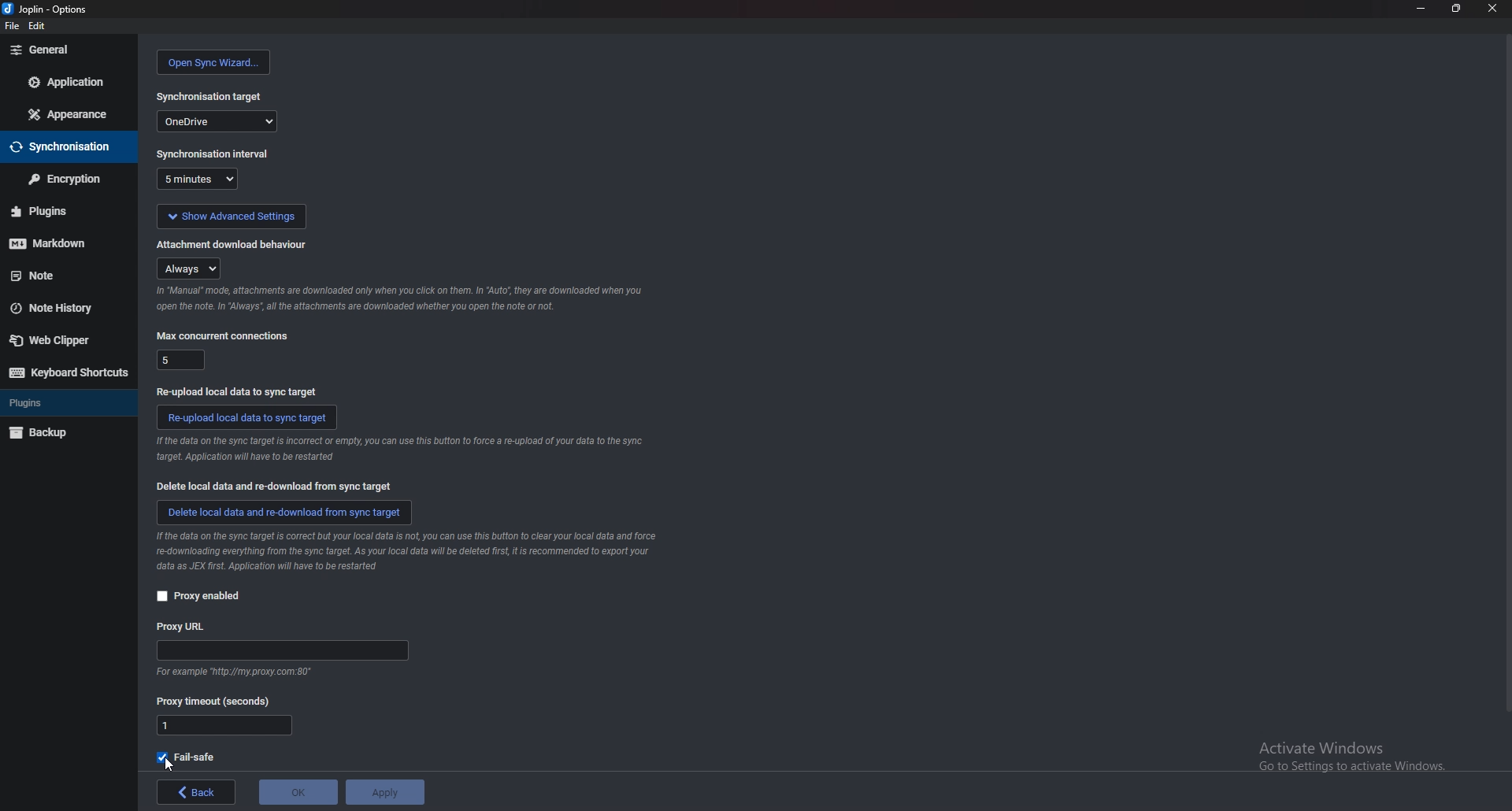 The image size is (1512, 811). I want to click on note history, so click(63, 306).